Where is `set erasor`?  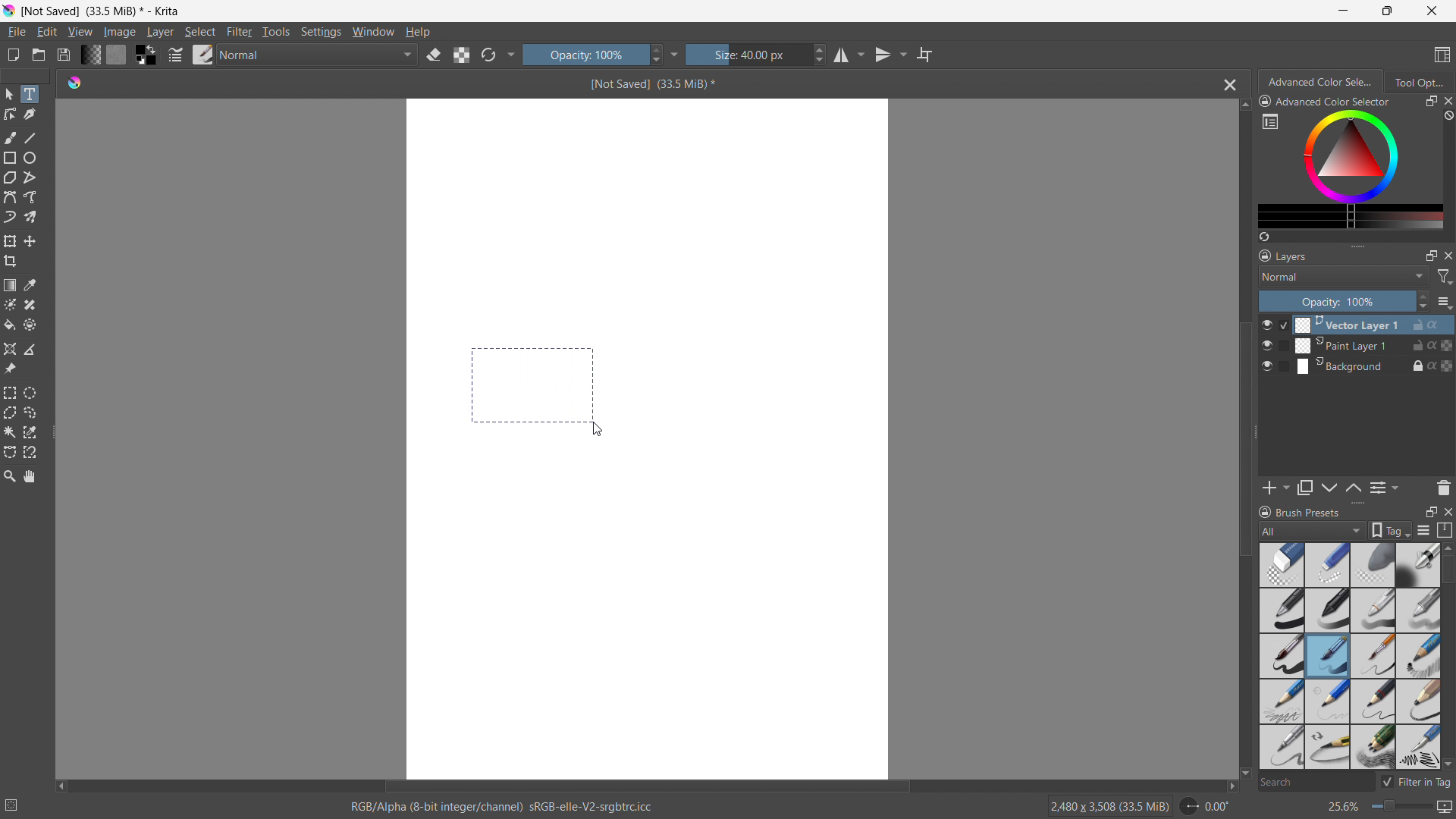 set erasor is located at coordinates (433, 55).